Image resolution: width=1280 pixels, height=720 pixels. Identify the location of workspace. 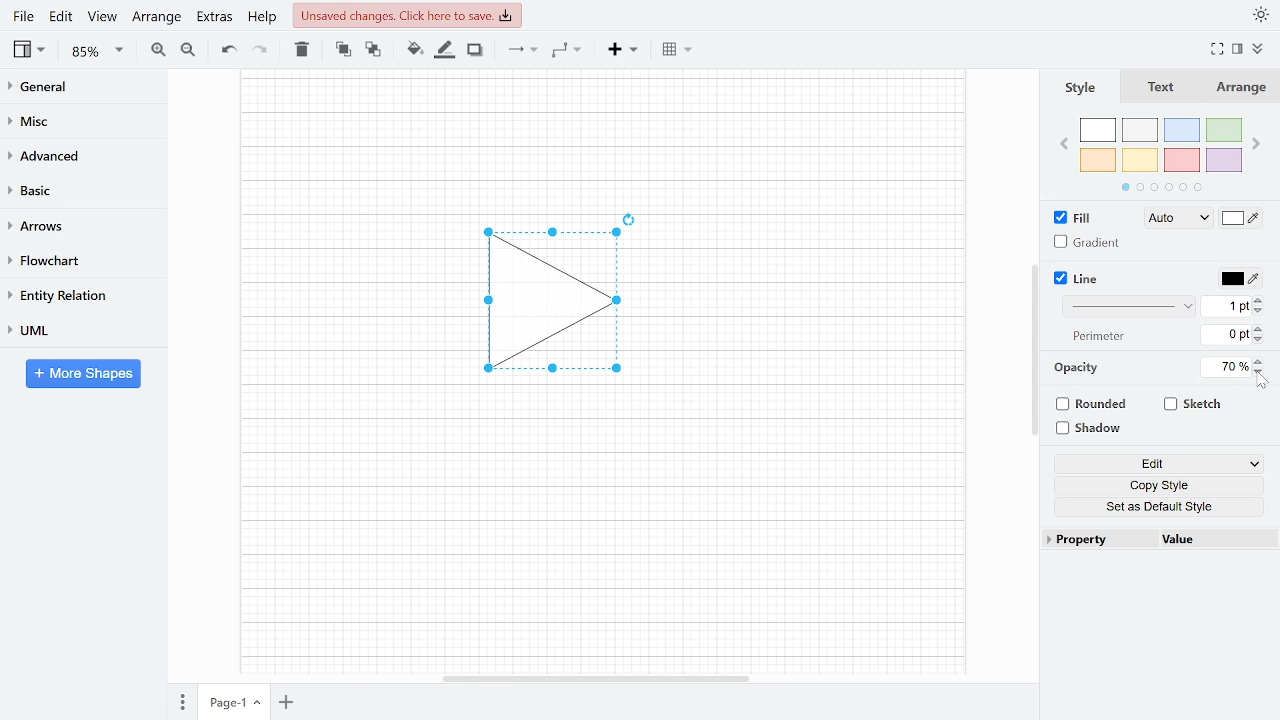
(602, 135).